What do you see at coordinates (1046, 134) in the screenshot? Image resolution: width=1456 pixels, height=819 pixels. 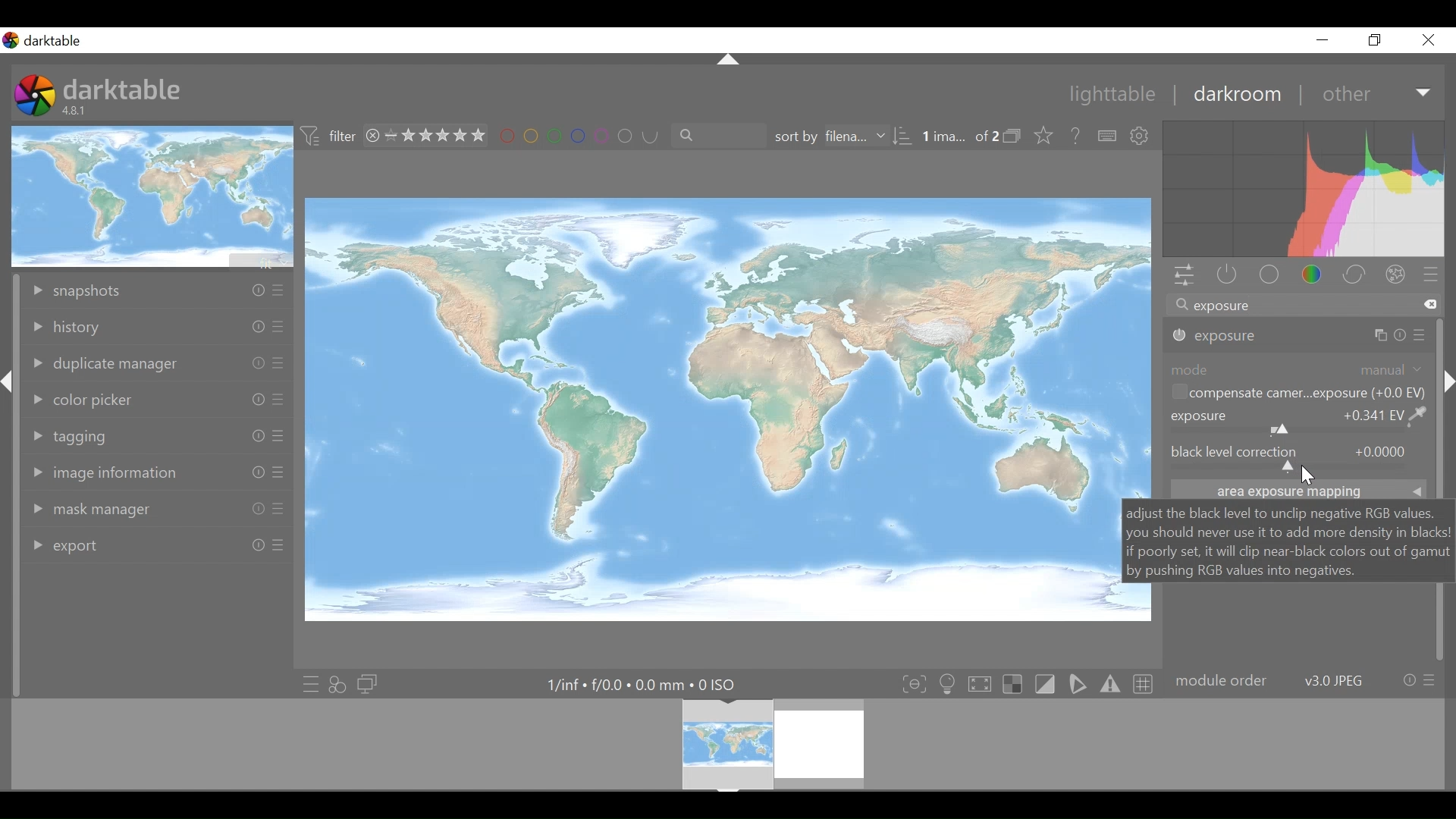 I see `click to change the type of overlays` at bounding box center [1046, 134].